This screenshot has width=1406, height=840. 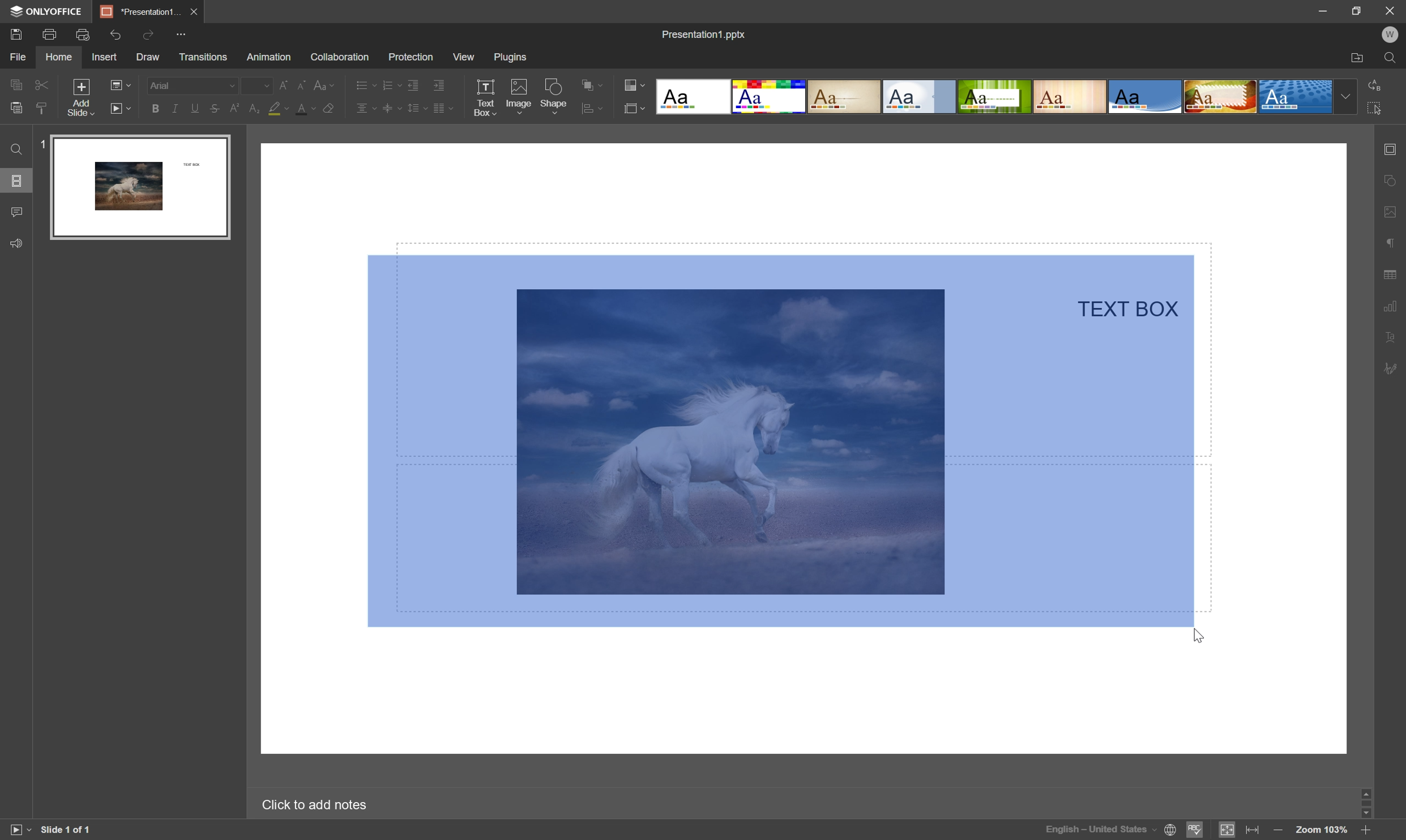 What do you see at coordinates (307, 109) in the screenshot?
I see `font color` at bounding box center [307, 109].